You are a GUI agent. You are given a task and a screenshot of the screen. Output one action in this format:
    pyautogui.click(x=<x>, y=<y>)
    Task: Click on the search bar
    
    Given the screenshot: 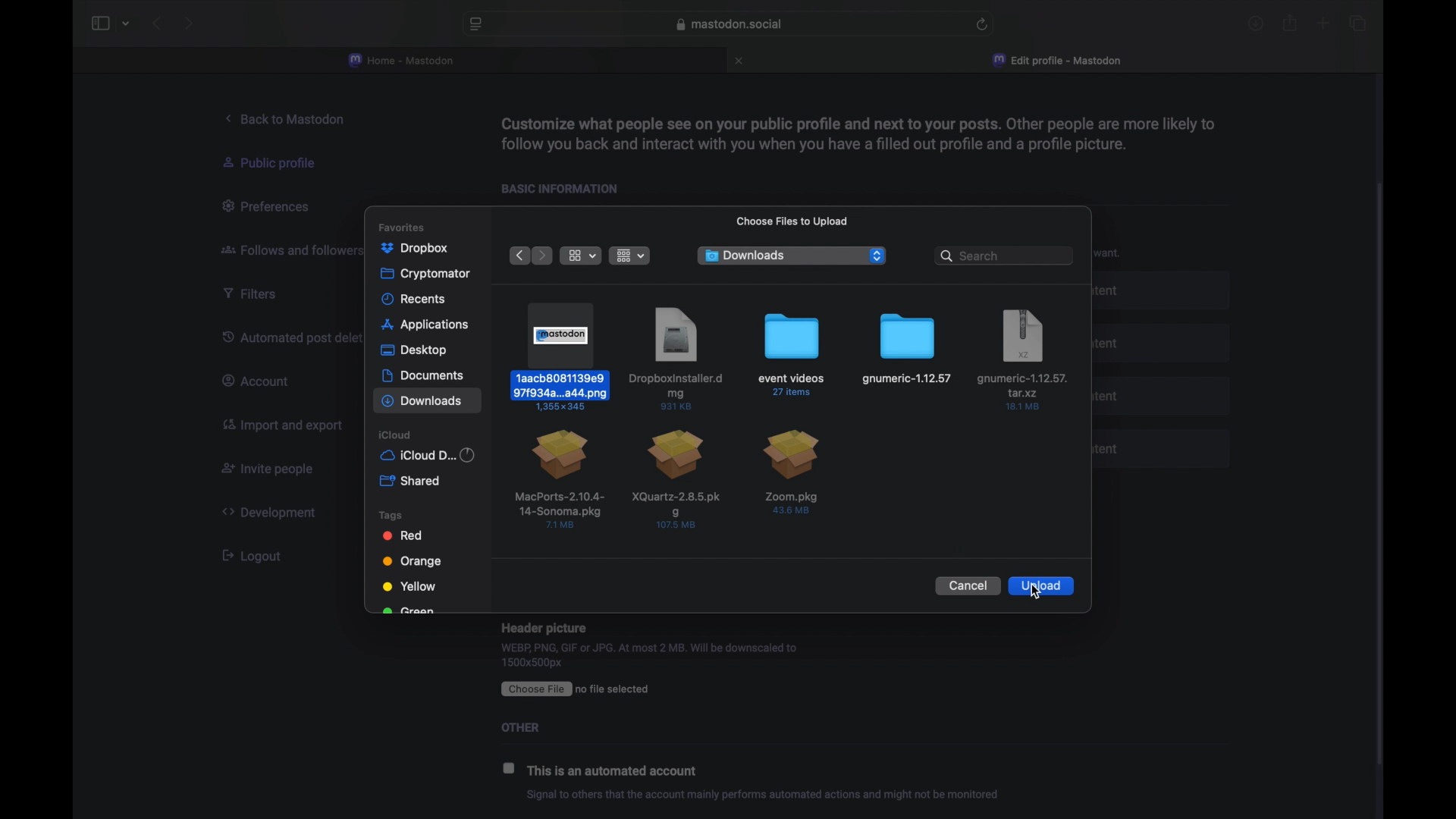 What is the action you would take?
    pyautogui.click(x=1003, y=255)
    